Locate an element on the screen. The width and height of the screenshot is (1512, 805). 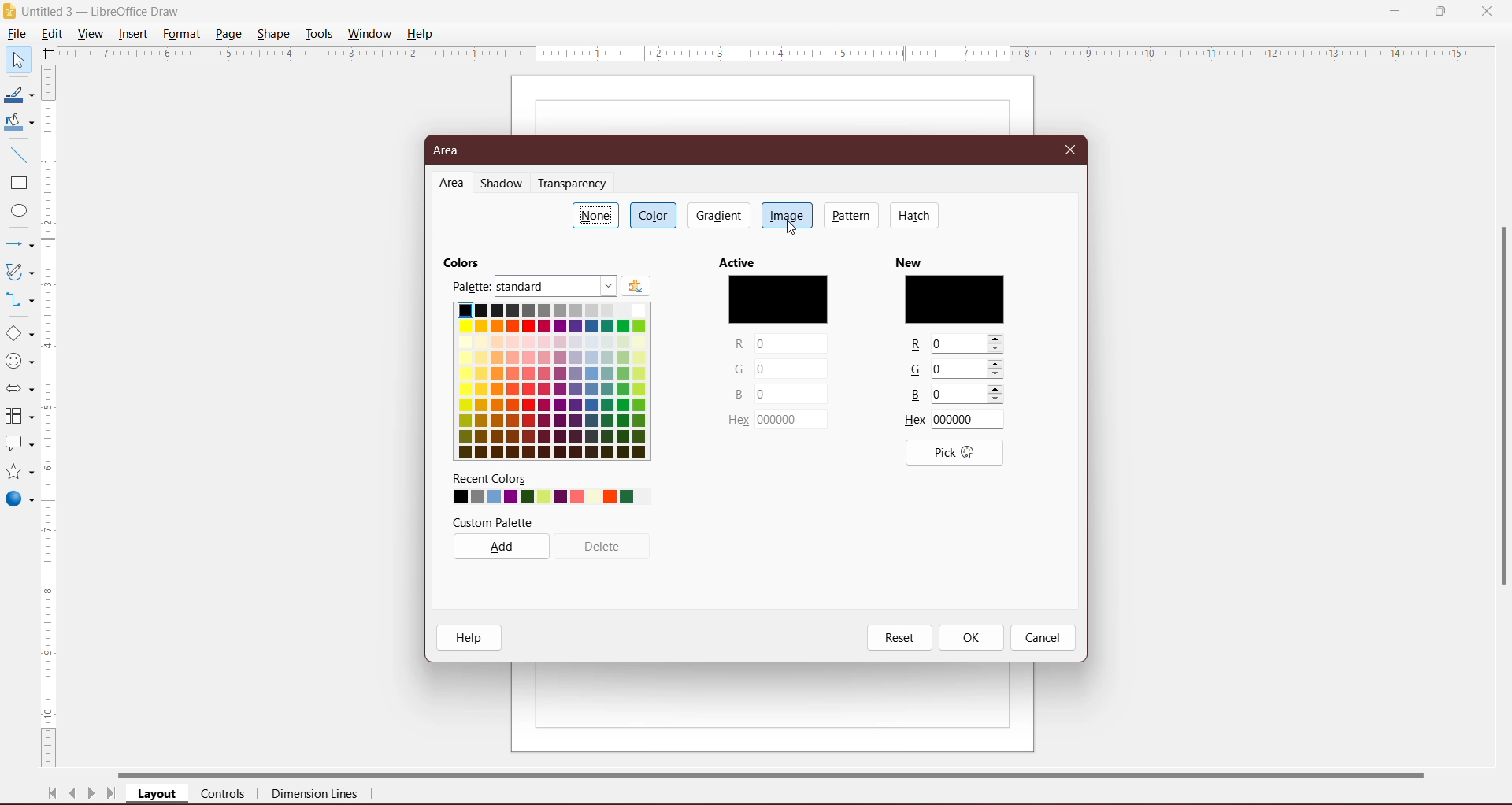
Scroll to last page is located at coordinates (112, 796).